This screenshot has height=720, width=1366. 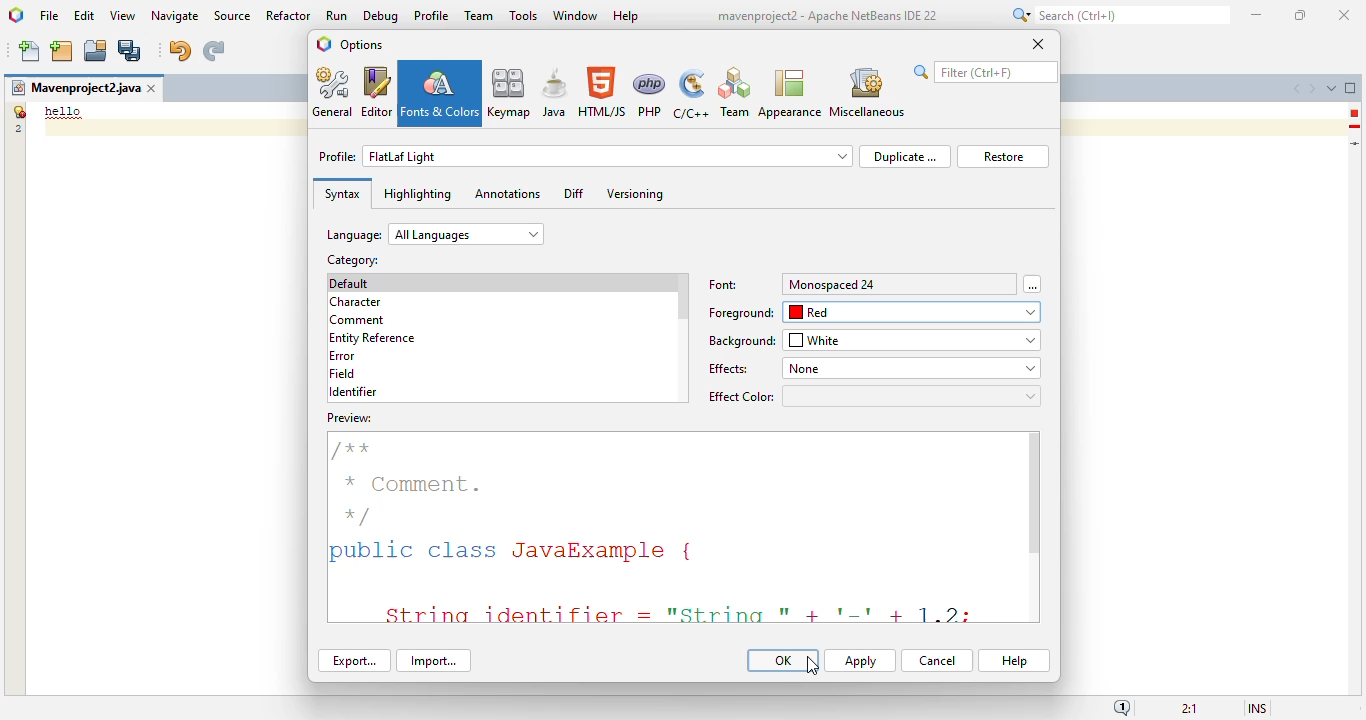 What do you see at coordinates (1258, 15) in the screenshot?
I see `minimize` at bounding box center [1258, 15].